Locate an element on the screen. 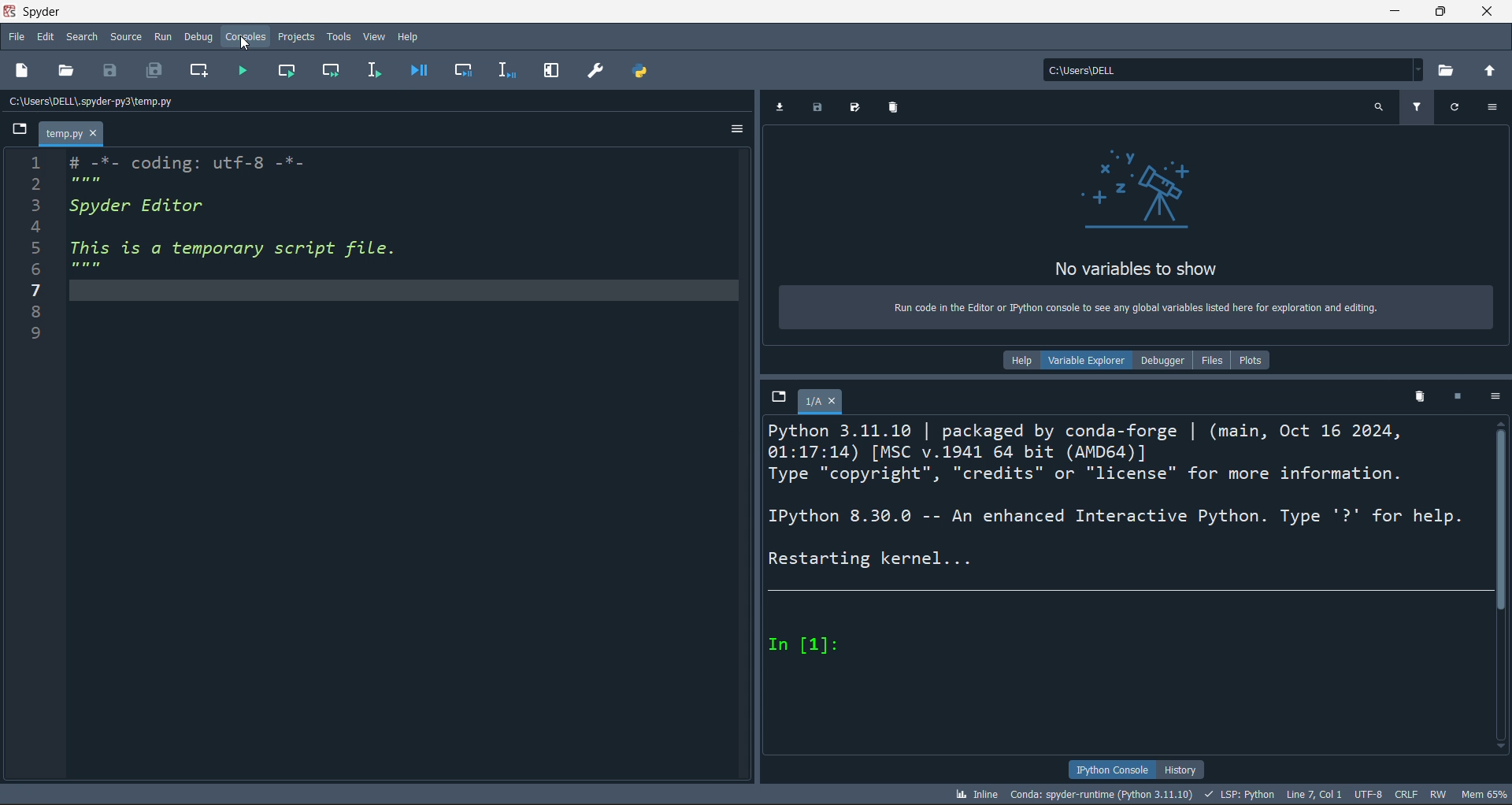 The image size is (1512, 805). plots is located at coordinates (1254, 359).